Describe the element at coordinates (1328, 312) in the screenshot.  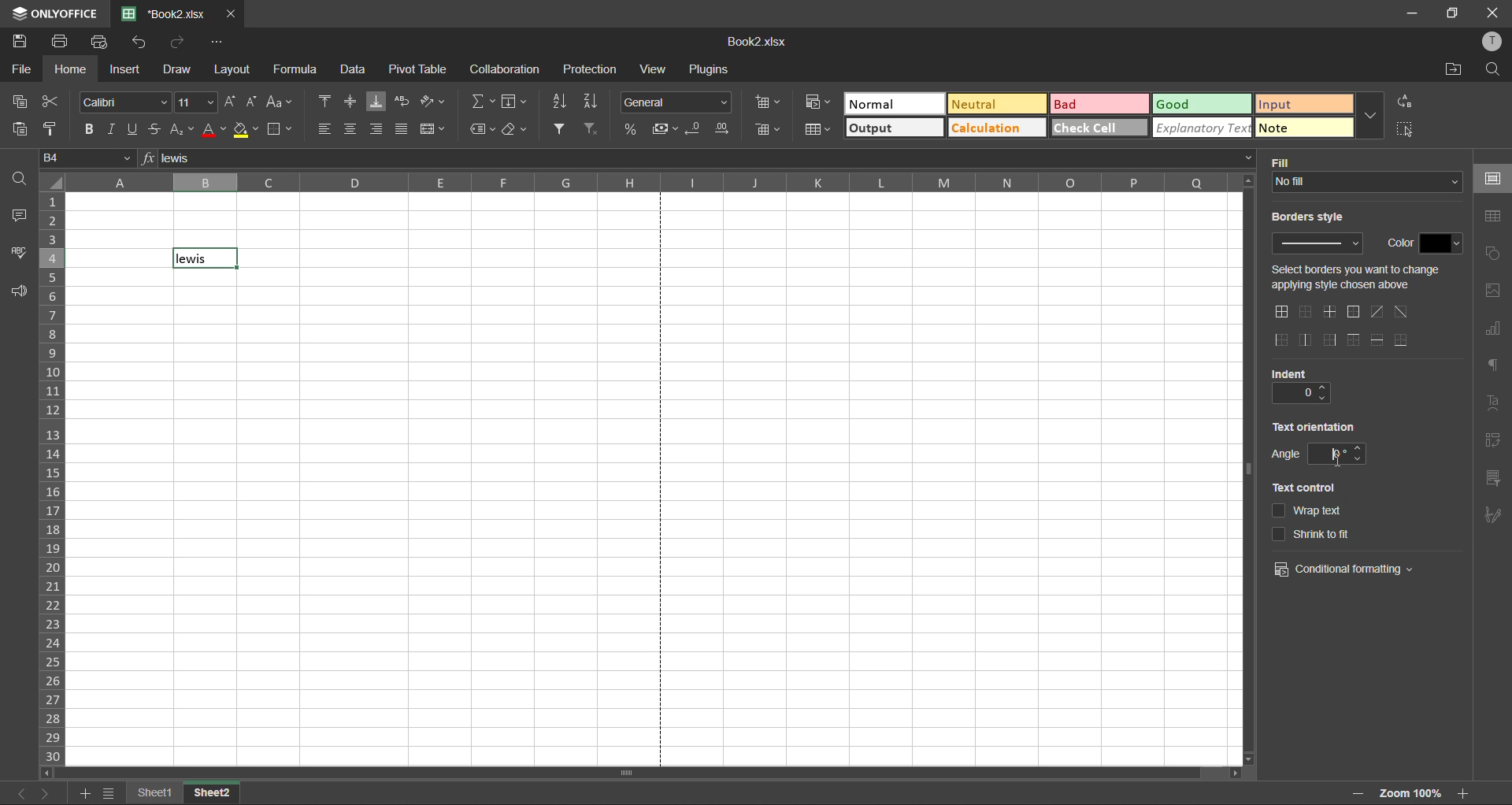
I see `only middle border horizontal` at that location.